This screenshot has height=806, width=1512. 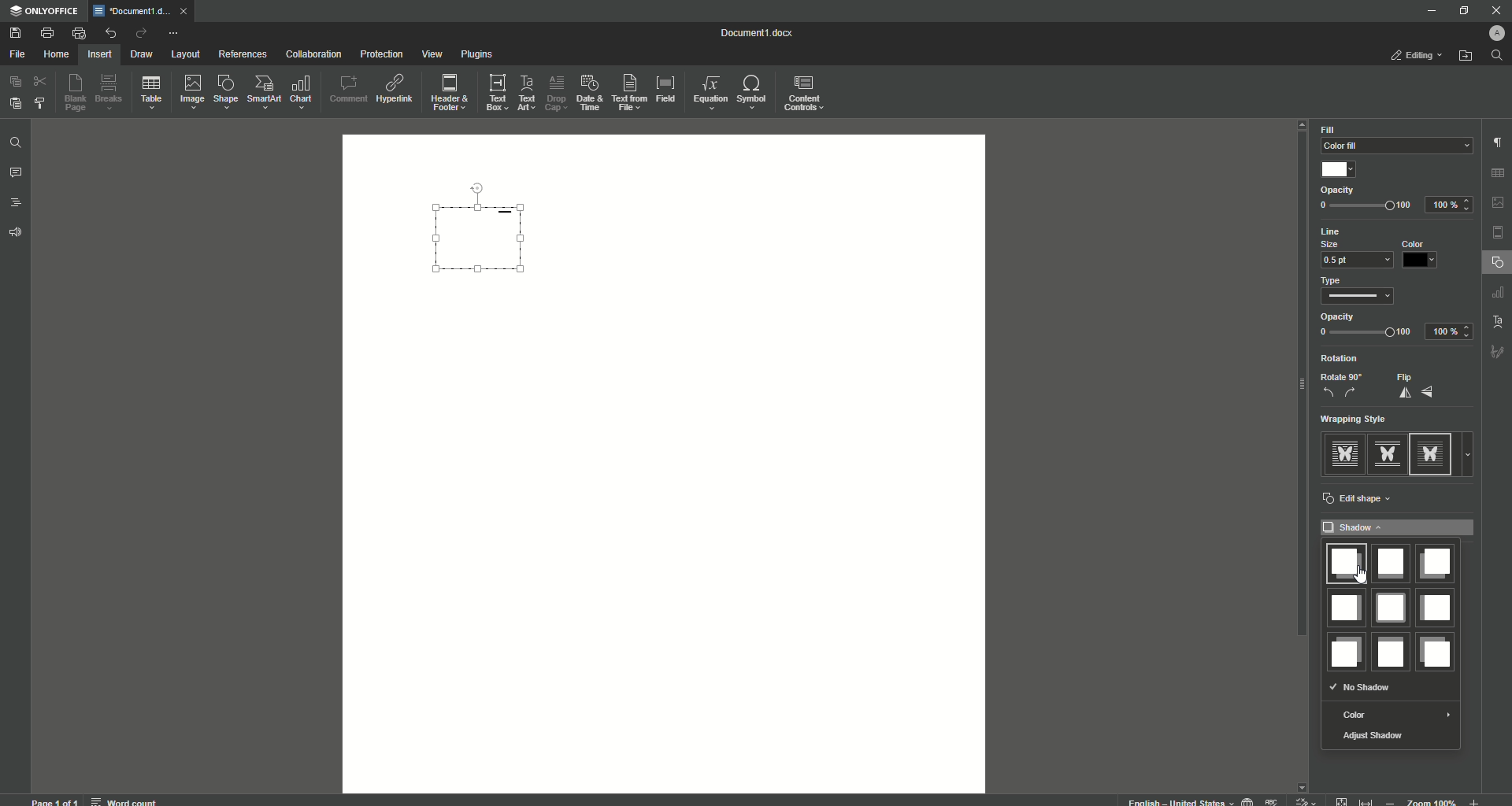 I want to click on close, so click(x=187, y=10).